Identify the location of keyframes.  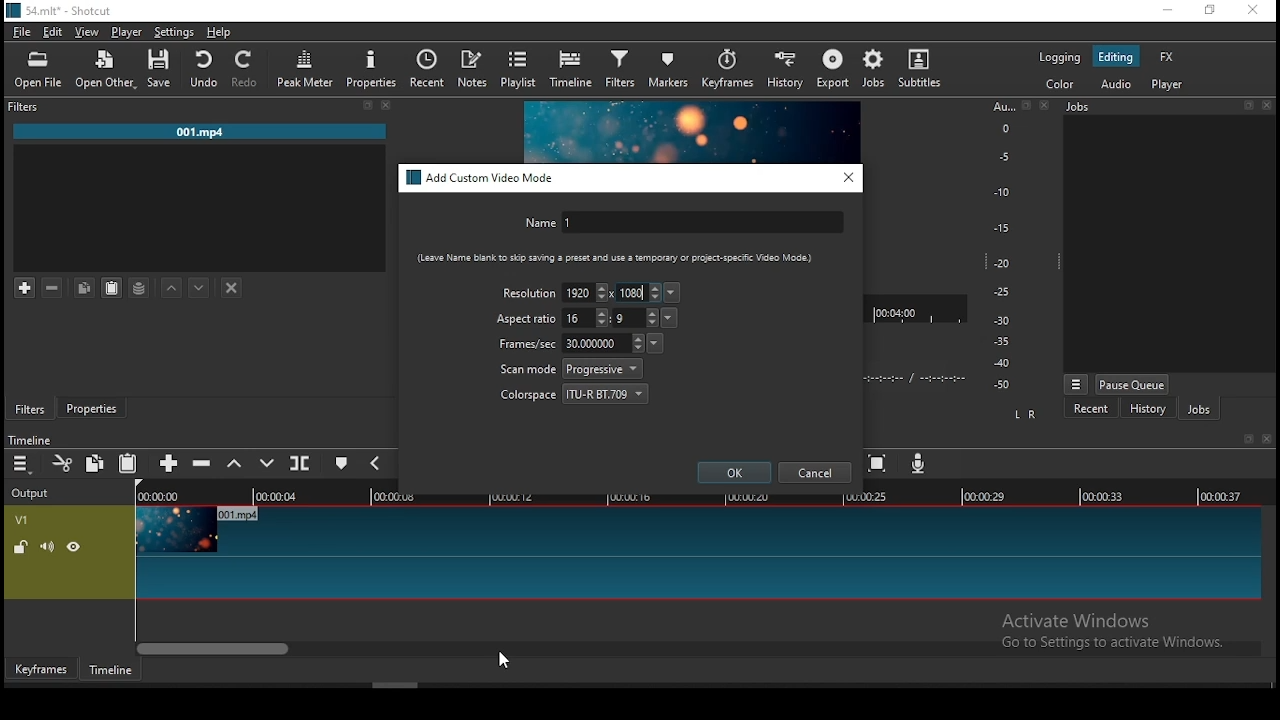
(727, 72).